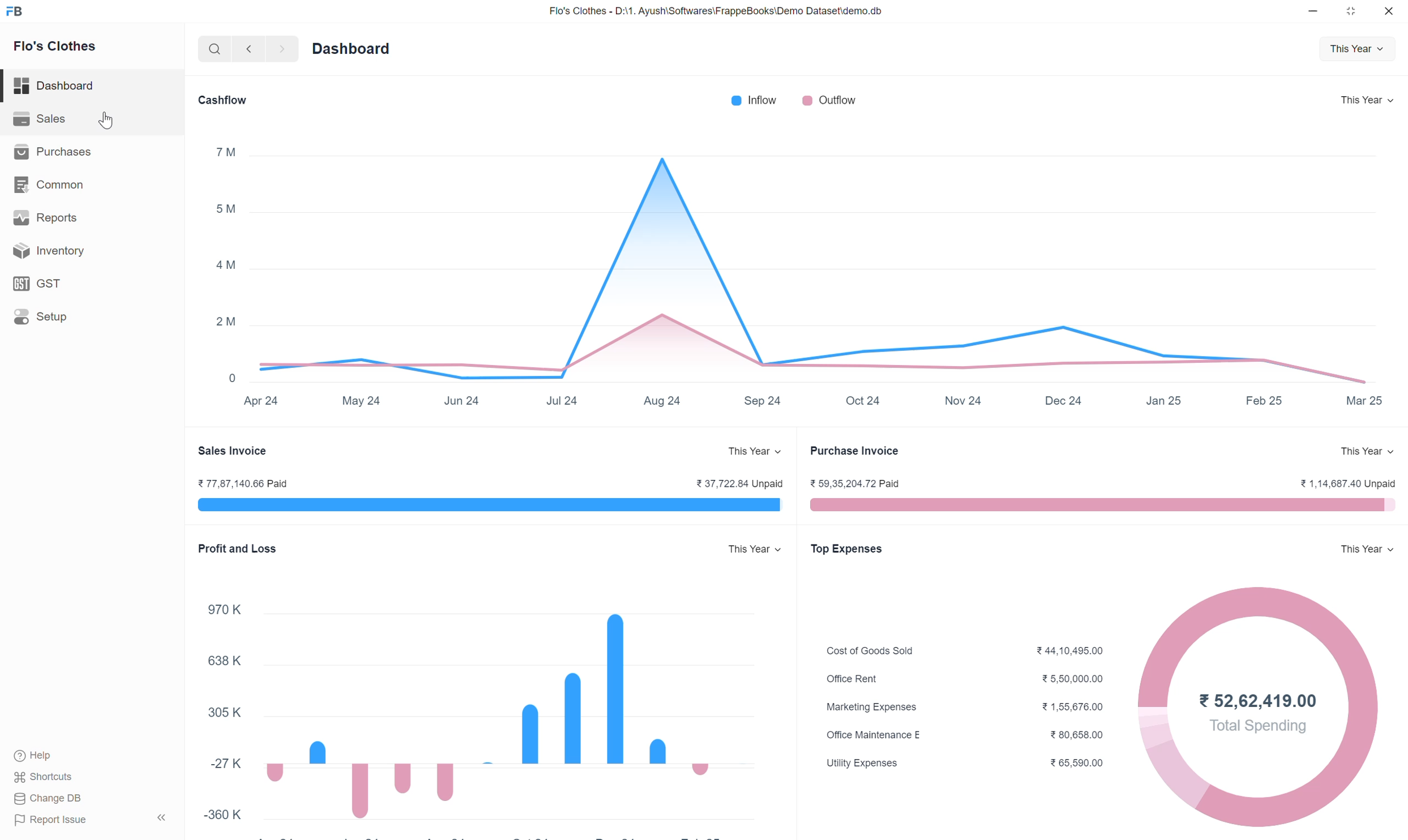  I want to click on select graph timeframe , so click(1366, 100).